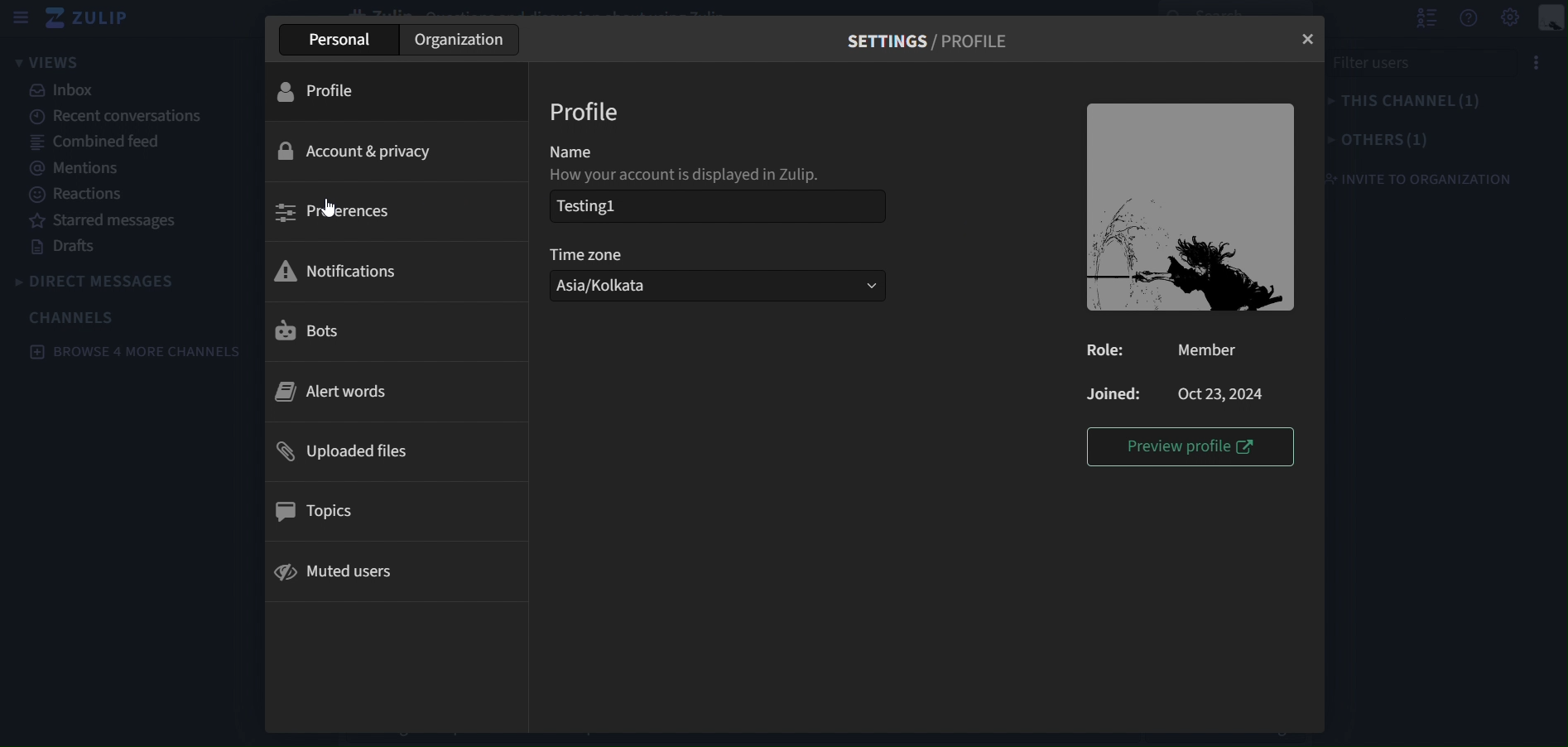  What do you see at coordinates (396, 508) in the screenshot?
I see `topics` at bounding box center [396, 508].